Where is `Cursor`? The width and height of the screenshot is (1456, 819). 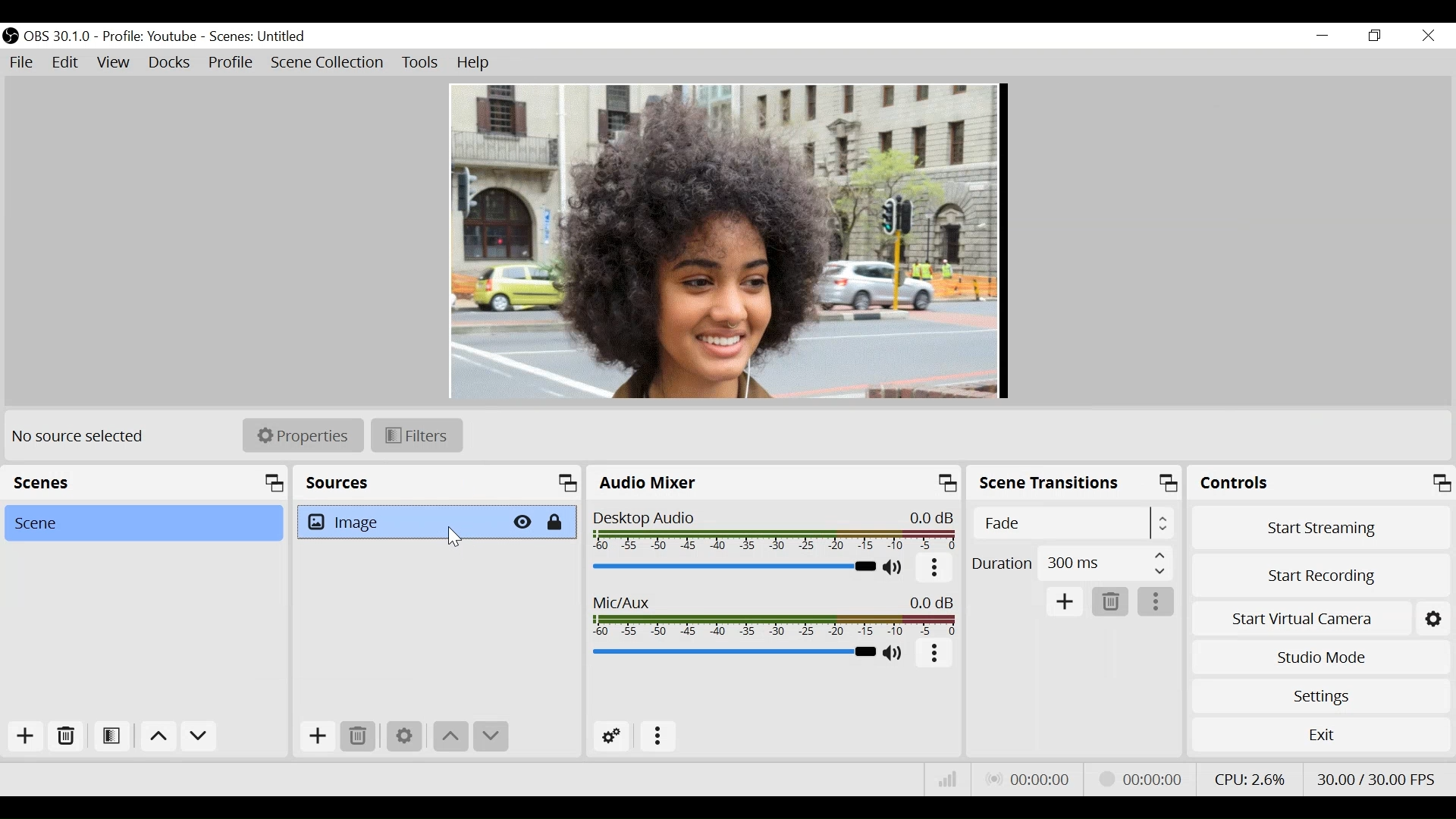 Cursor is located at coordinates (457, 537).